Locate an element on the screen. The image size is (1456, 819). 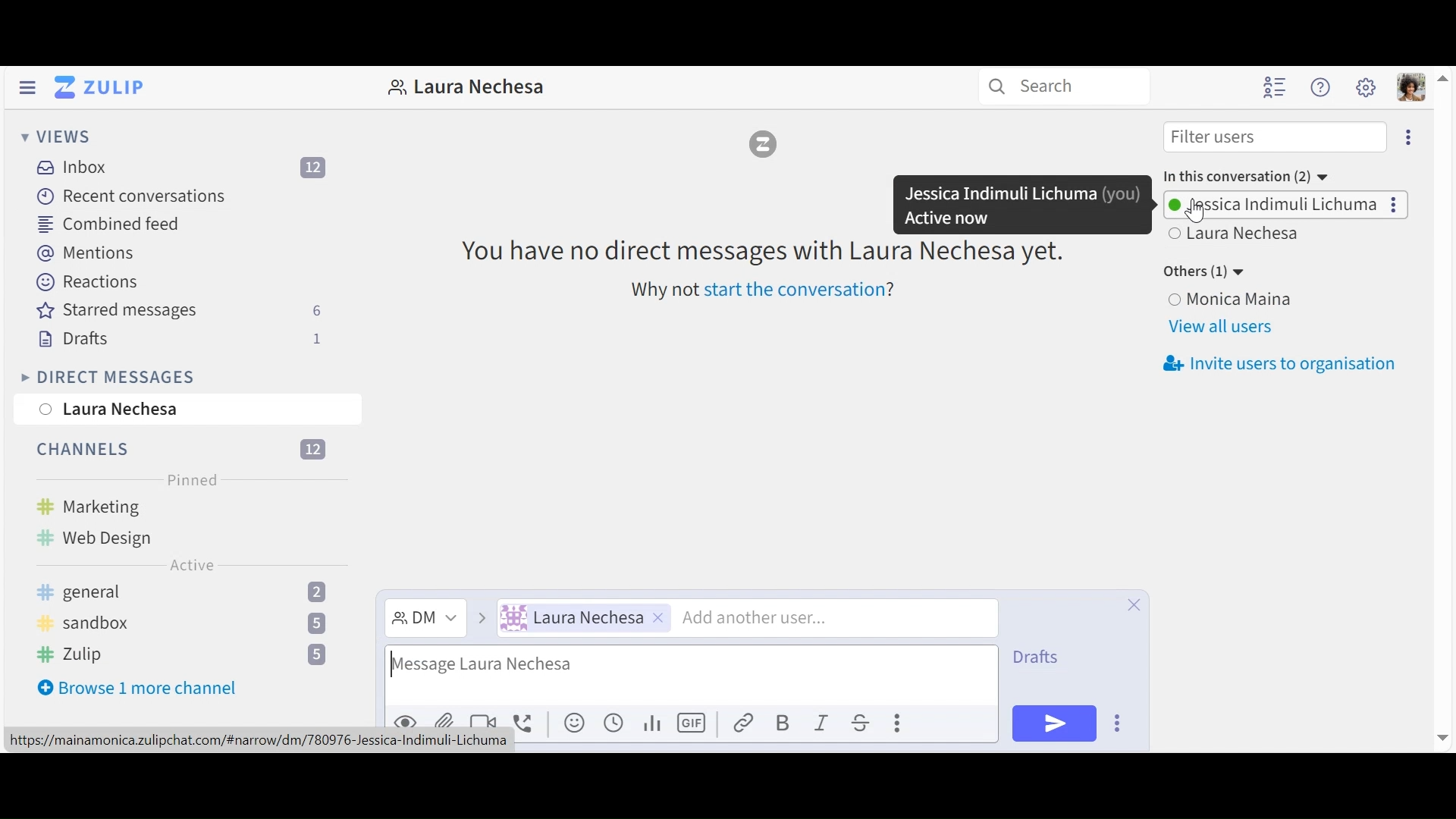
Dialogue message showing user name and status is located at coordinates (1021, 203).